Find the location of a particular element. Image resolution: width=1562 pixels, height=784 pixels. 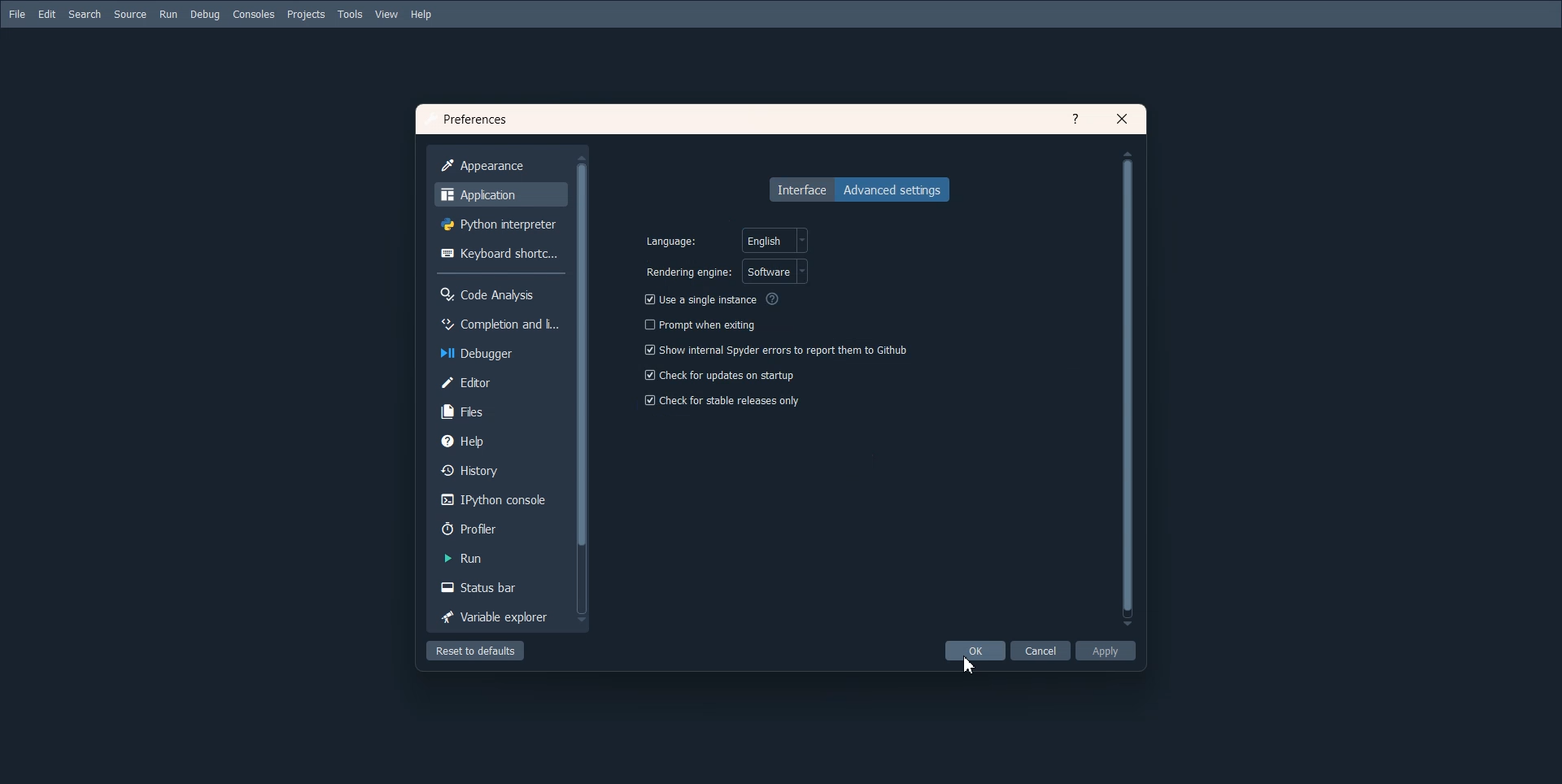

Search is located at coordinates (85, 15).